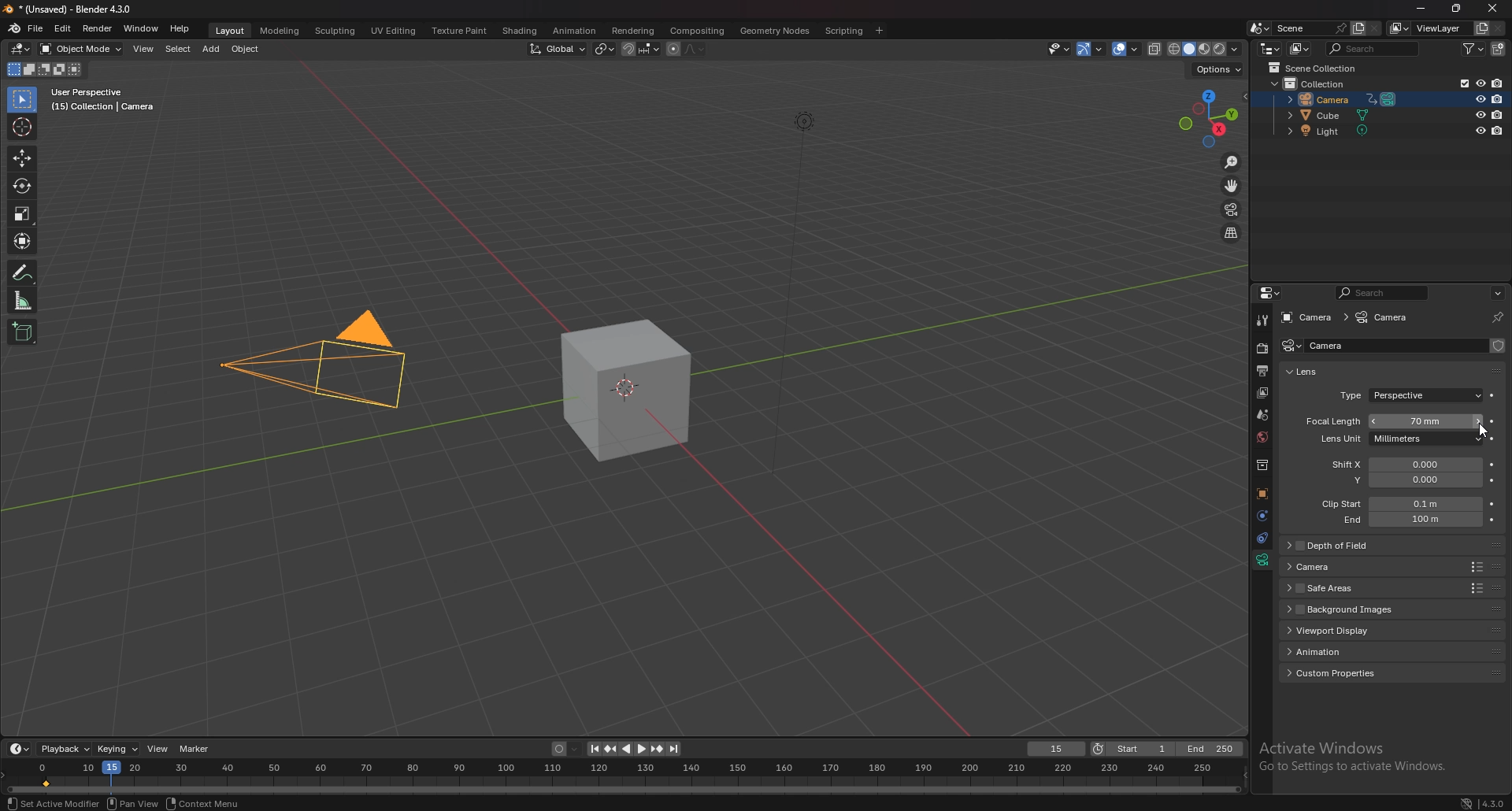 The width and height of the screenshot is (1512, 811). I want to click on display mode, so click(1299, 49).